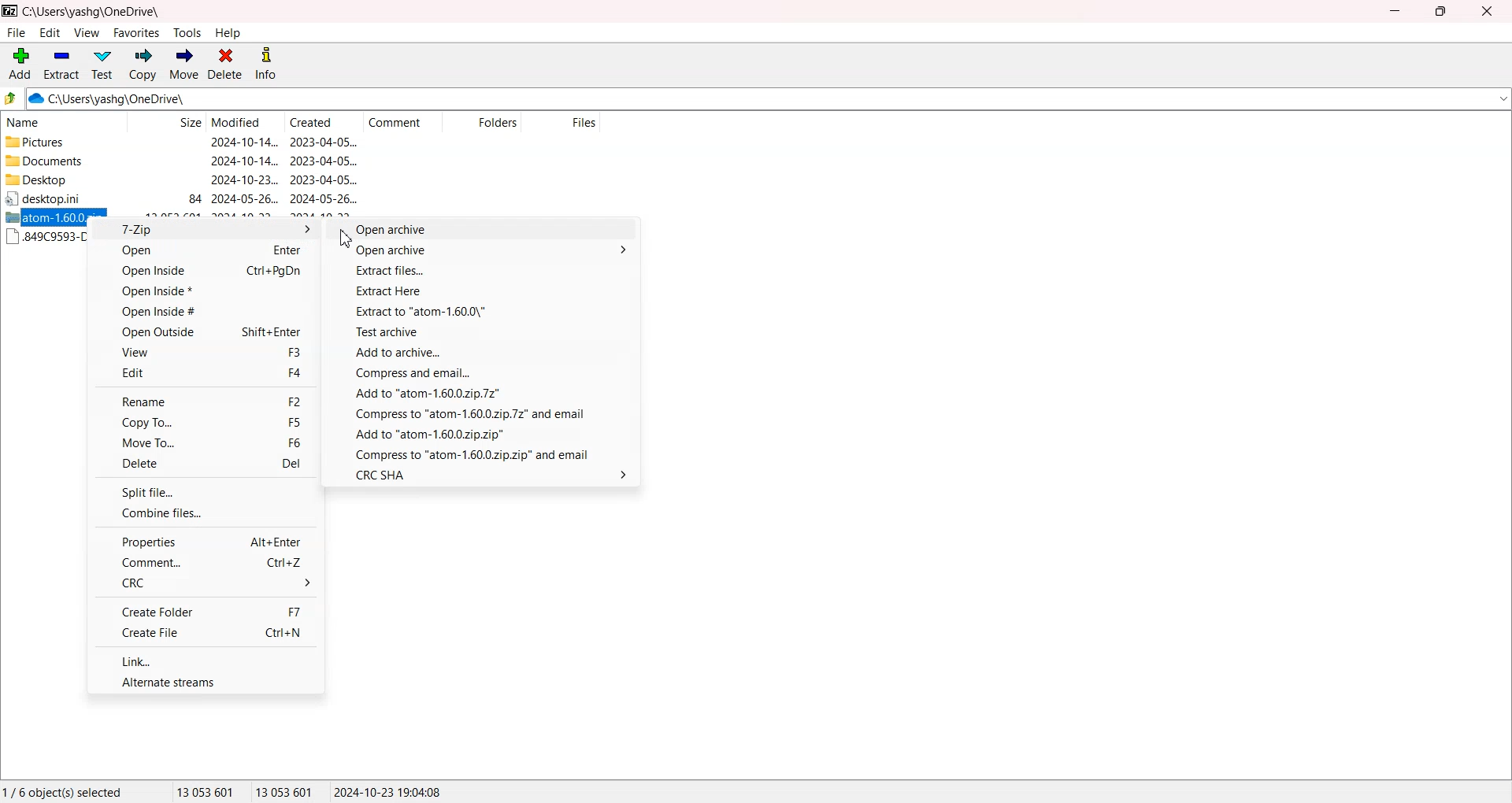 The width and height of the screenshot is (1512, 803). Describe the element at coordinates (195, 199) in the screenshot. I see `84` at that location.